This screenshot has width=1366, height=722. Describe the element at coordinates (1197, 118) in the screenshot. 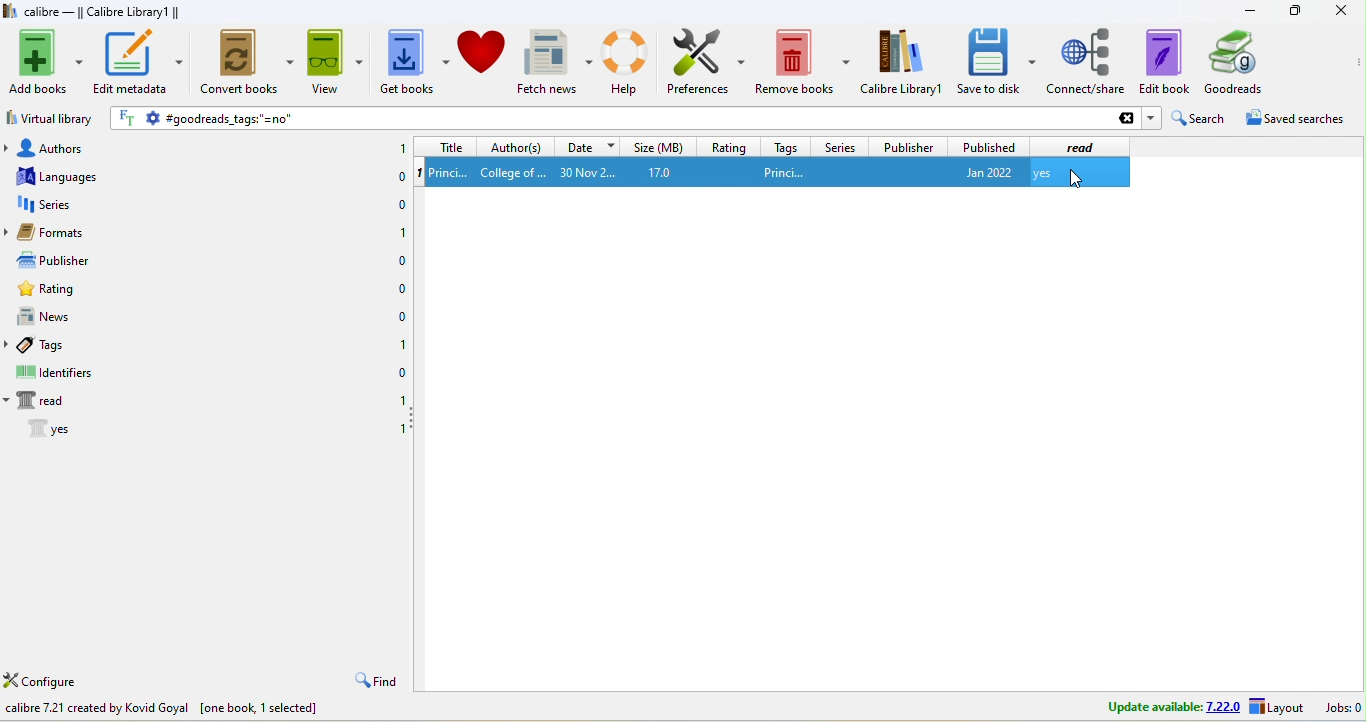

I see `search` at that location.